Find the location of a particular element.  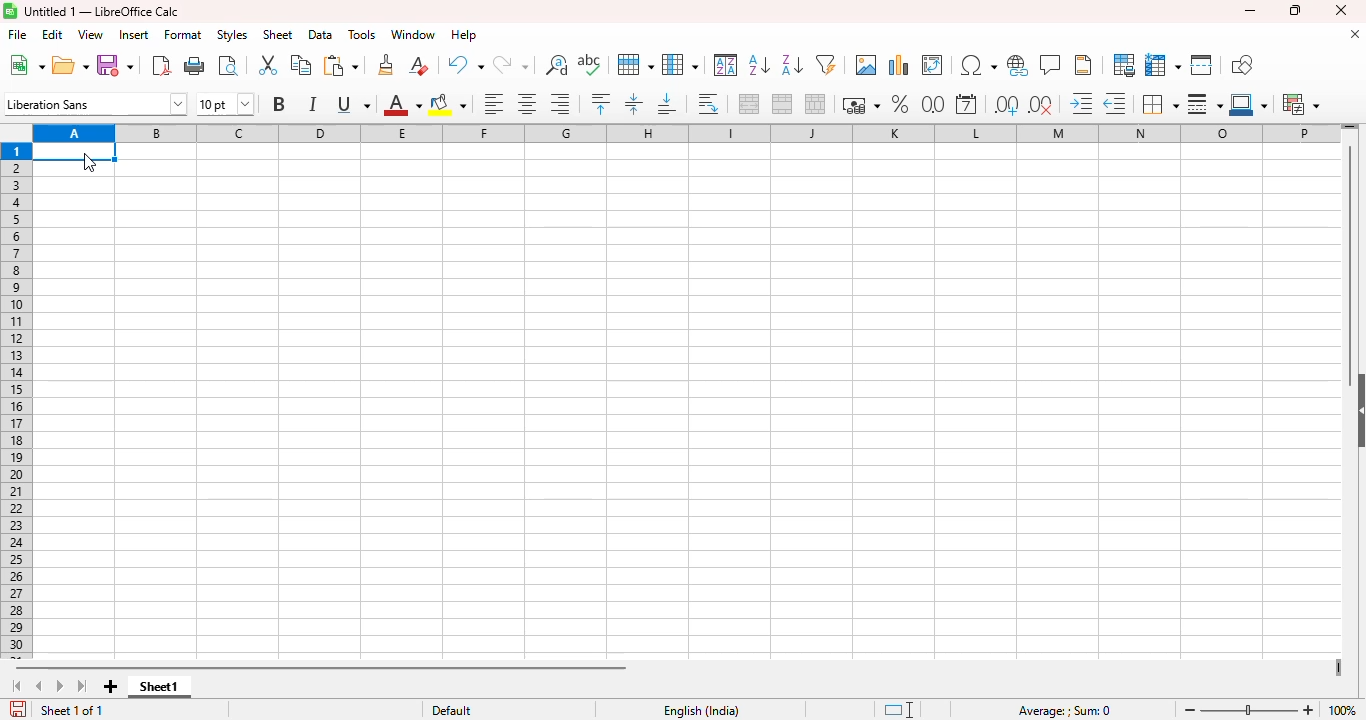

AutoFilter is located at coordinates (826, 64).